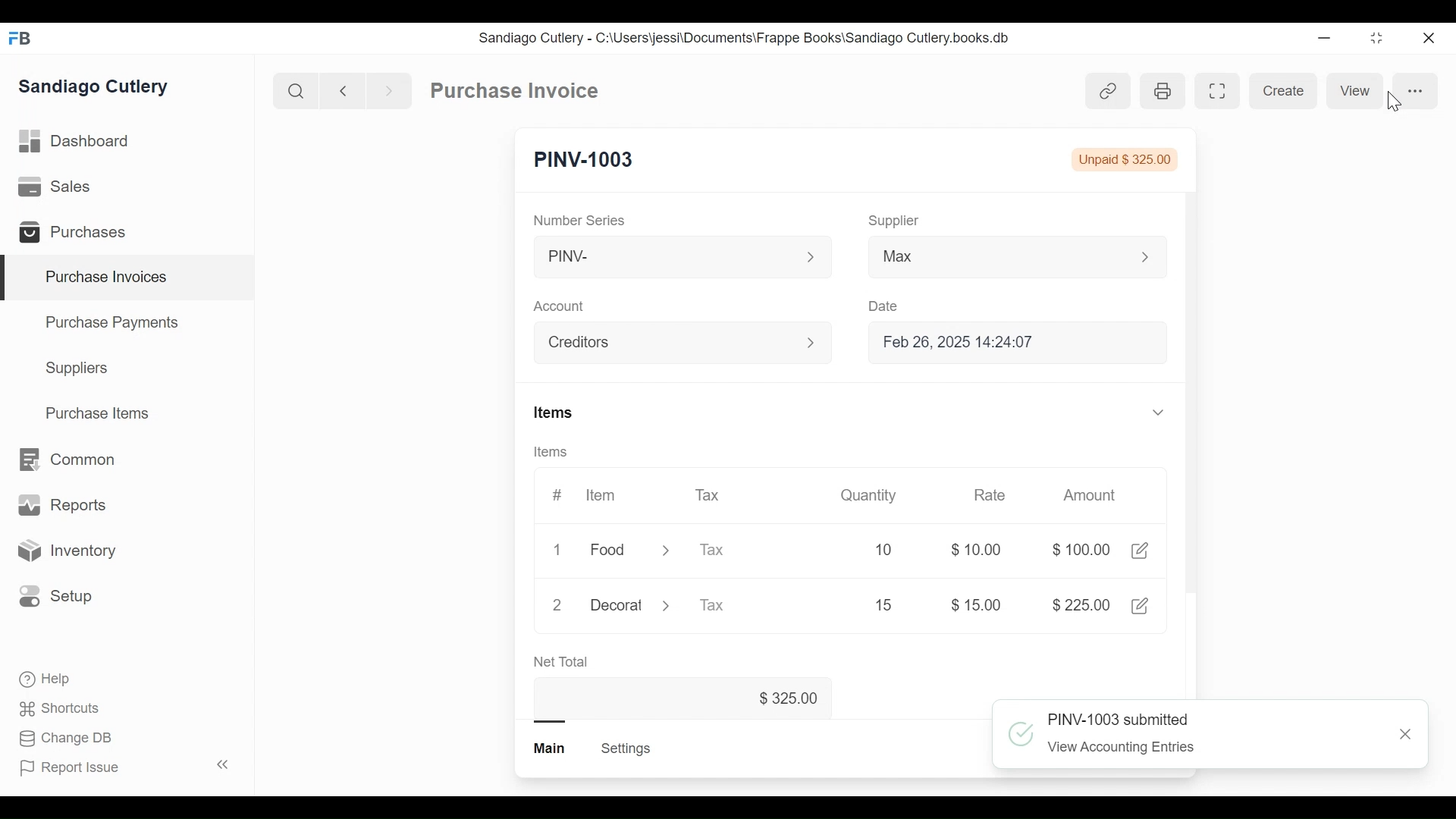 This screenshot has height=819, width=1456. I want to click on cursor, so click(1392, 101).